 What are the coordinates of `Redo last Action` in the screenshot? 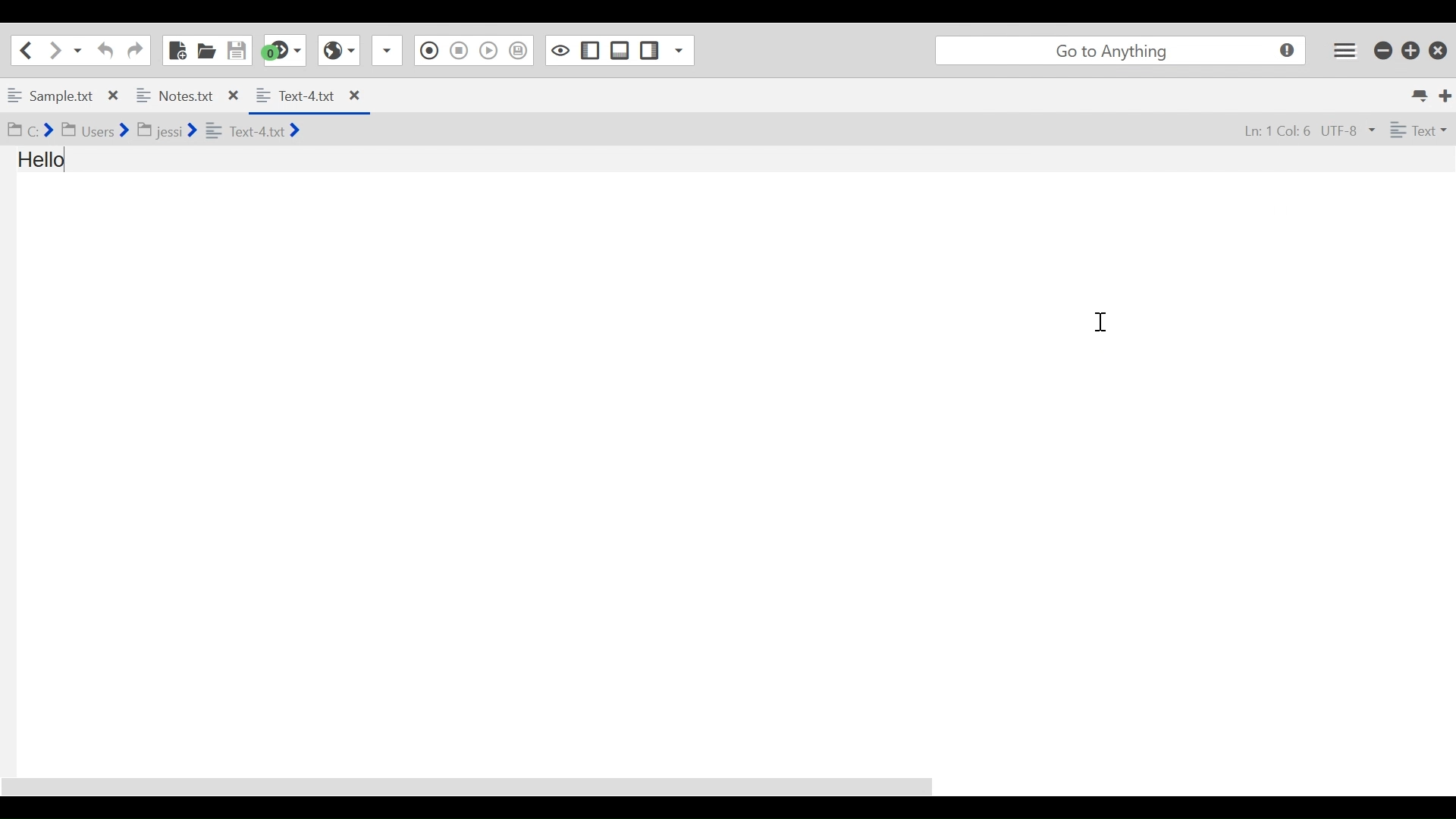 It's located at (135, 51).